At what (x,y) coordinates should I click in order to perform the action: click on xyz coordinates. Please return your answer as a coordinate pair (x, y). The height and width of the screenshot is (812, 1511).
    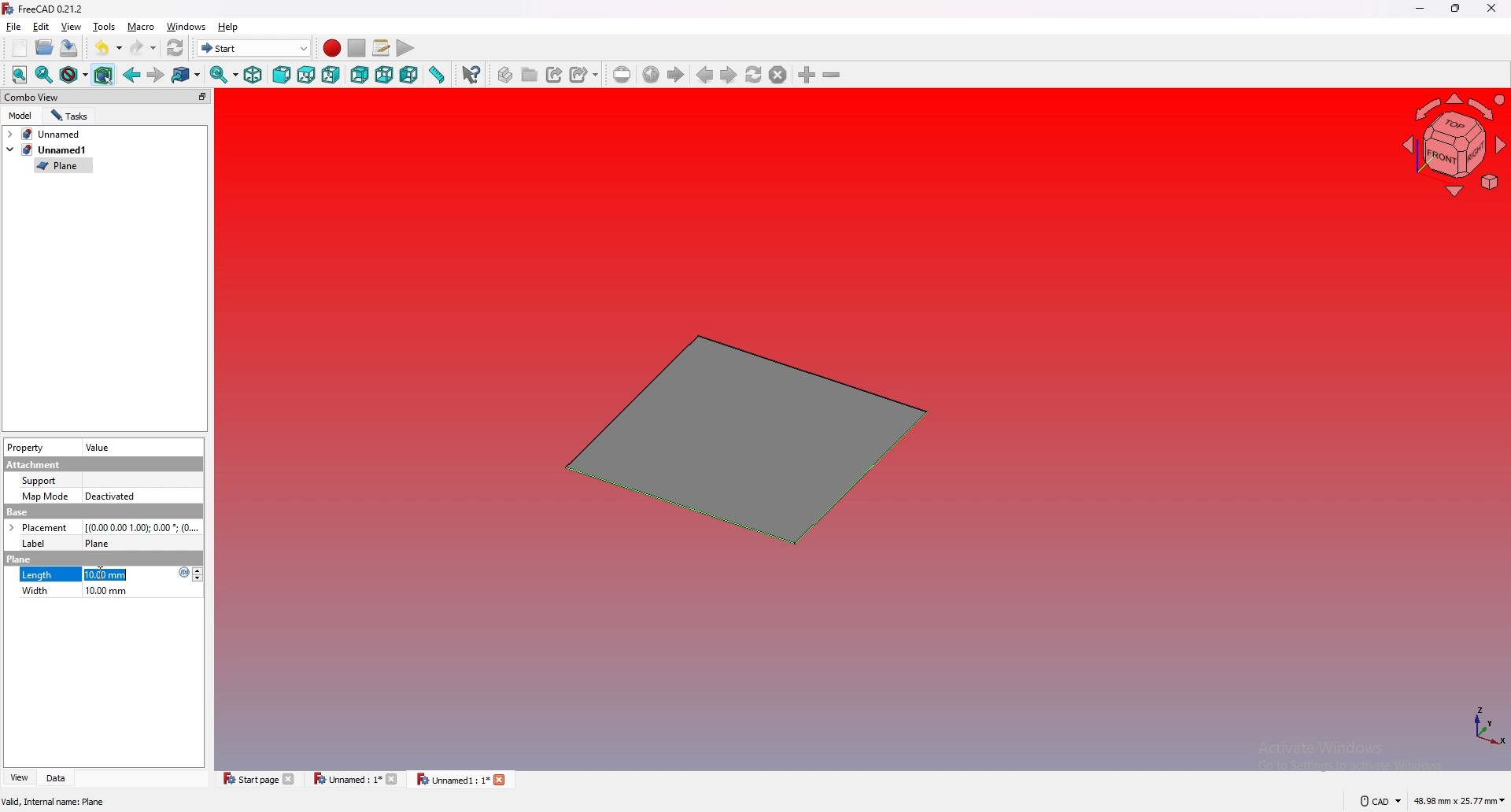
    Looking at the image, I should click on (1469, 727).